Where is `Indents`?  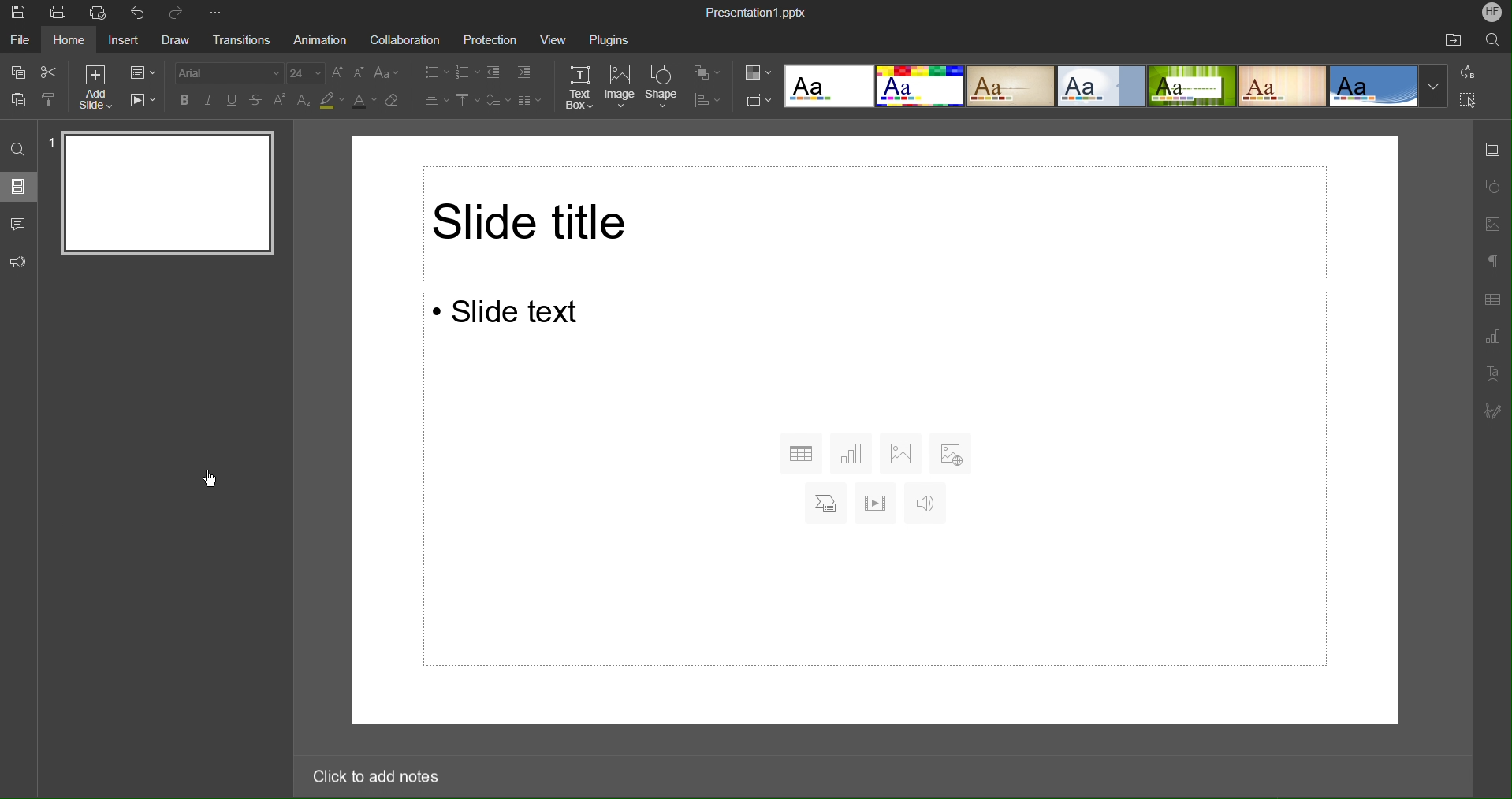 Indents is located at coordinates (513, 71).